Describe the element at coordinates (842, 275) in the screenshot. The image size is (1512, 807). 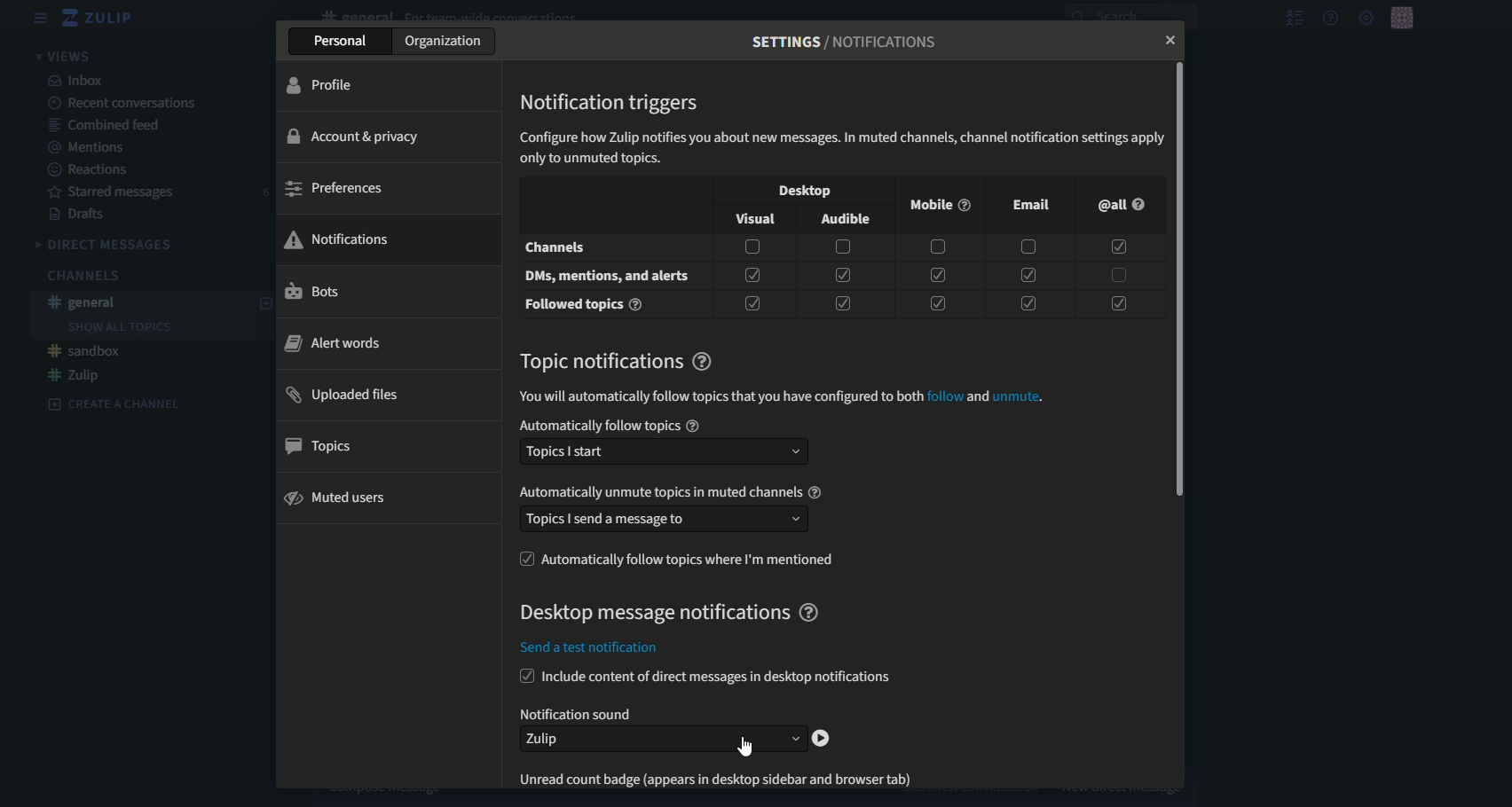
I see `checkbox` at that location.